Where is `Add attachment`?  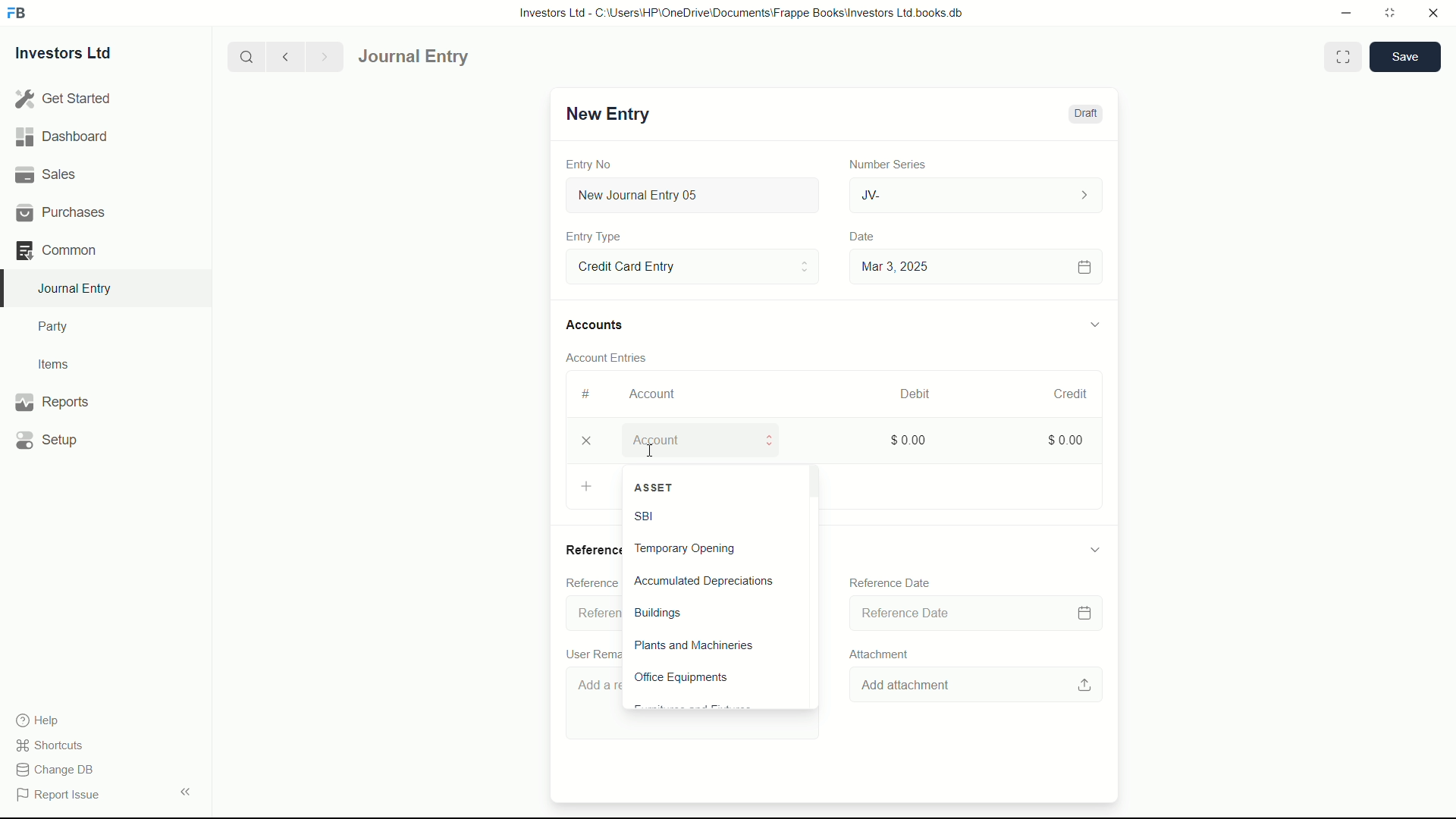
Add attachment is located at coordinates (980, 684).